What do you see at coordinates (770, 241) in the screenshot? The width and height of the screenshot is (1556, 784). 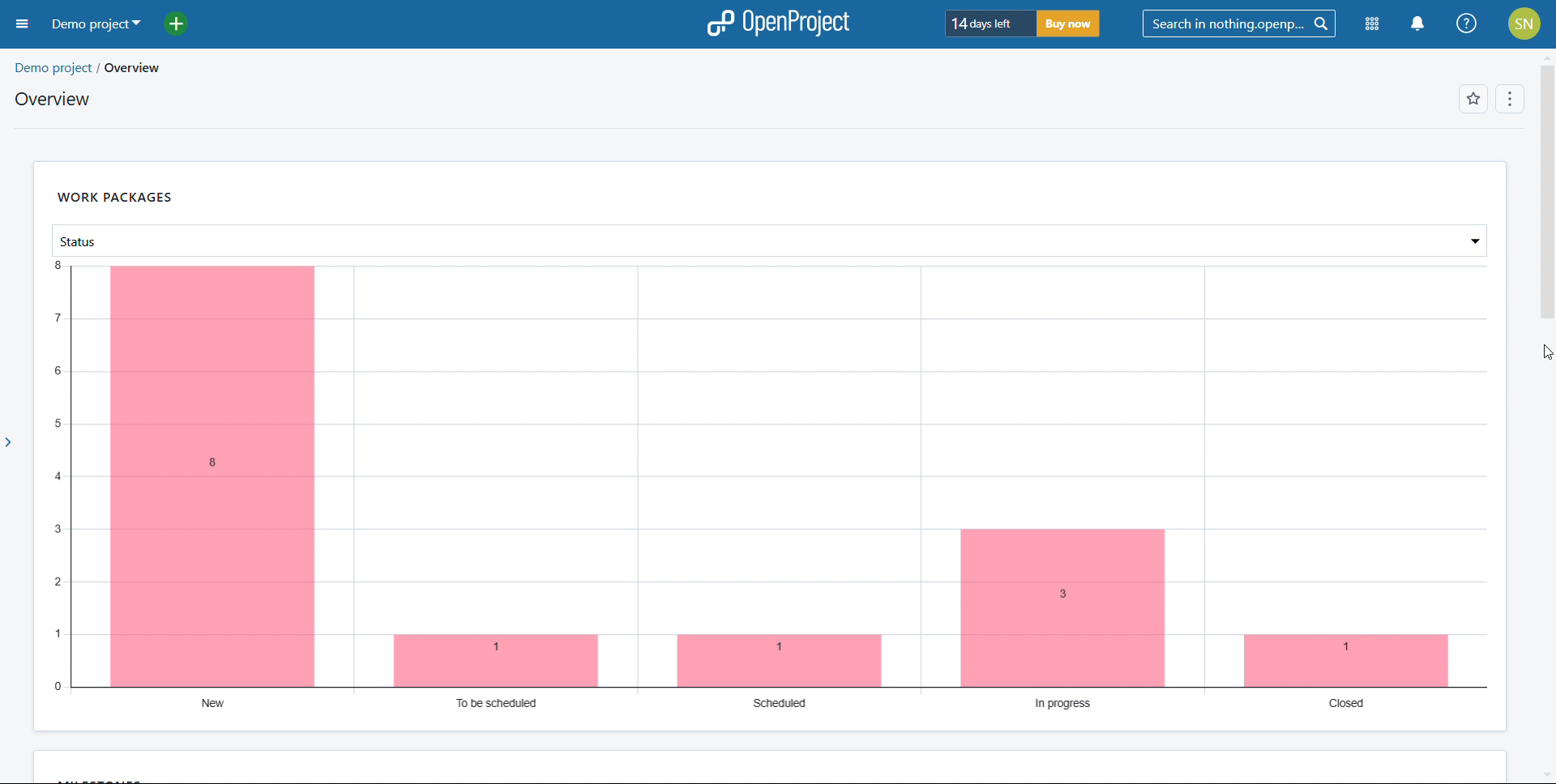 I see `select attribute` at bounding box center [770, 241].